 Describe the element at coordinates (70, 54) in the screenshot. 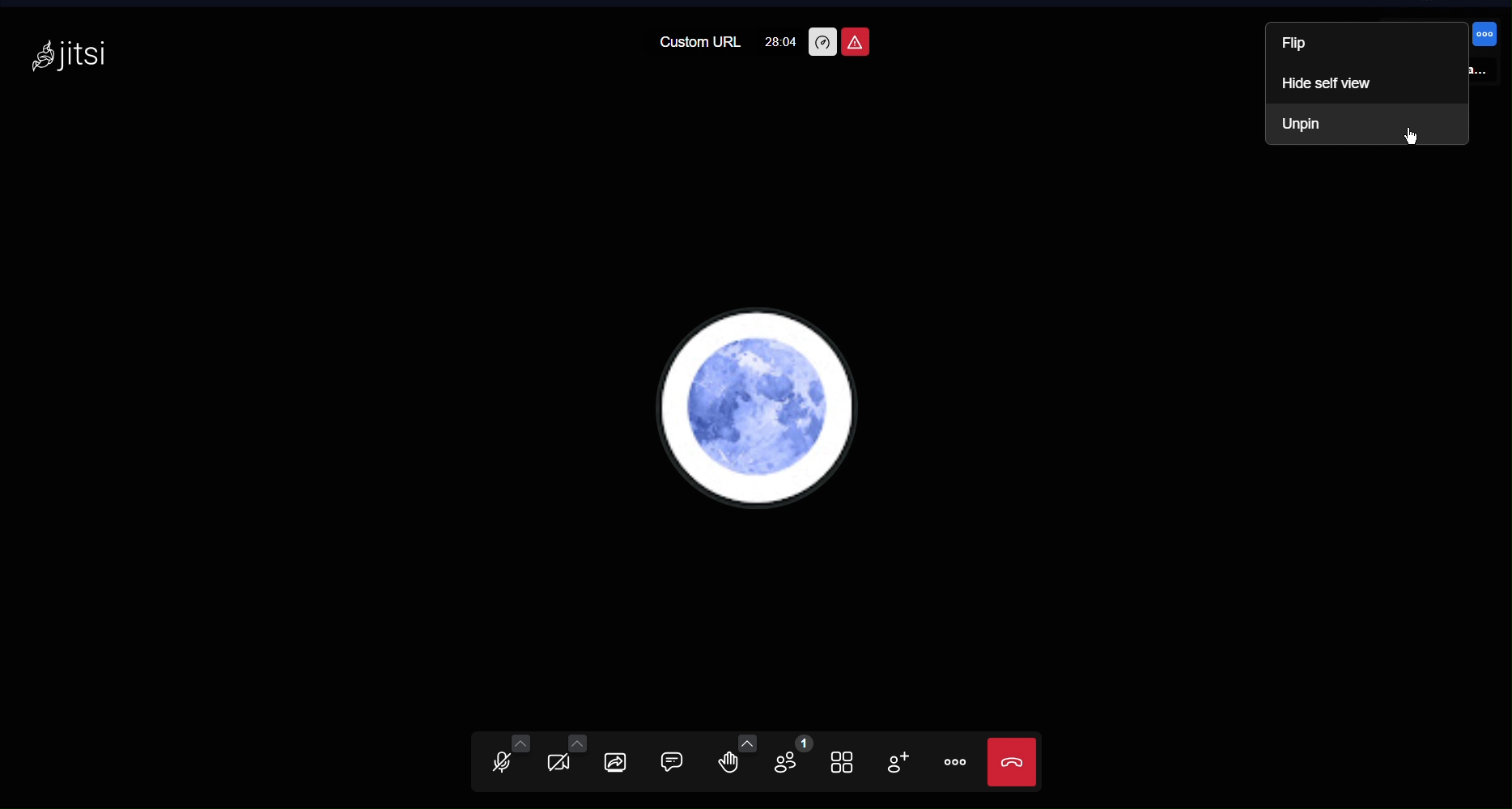

I see `Jitsi` at that location.